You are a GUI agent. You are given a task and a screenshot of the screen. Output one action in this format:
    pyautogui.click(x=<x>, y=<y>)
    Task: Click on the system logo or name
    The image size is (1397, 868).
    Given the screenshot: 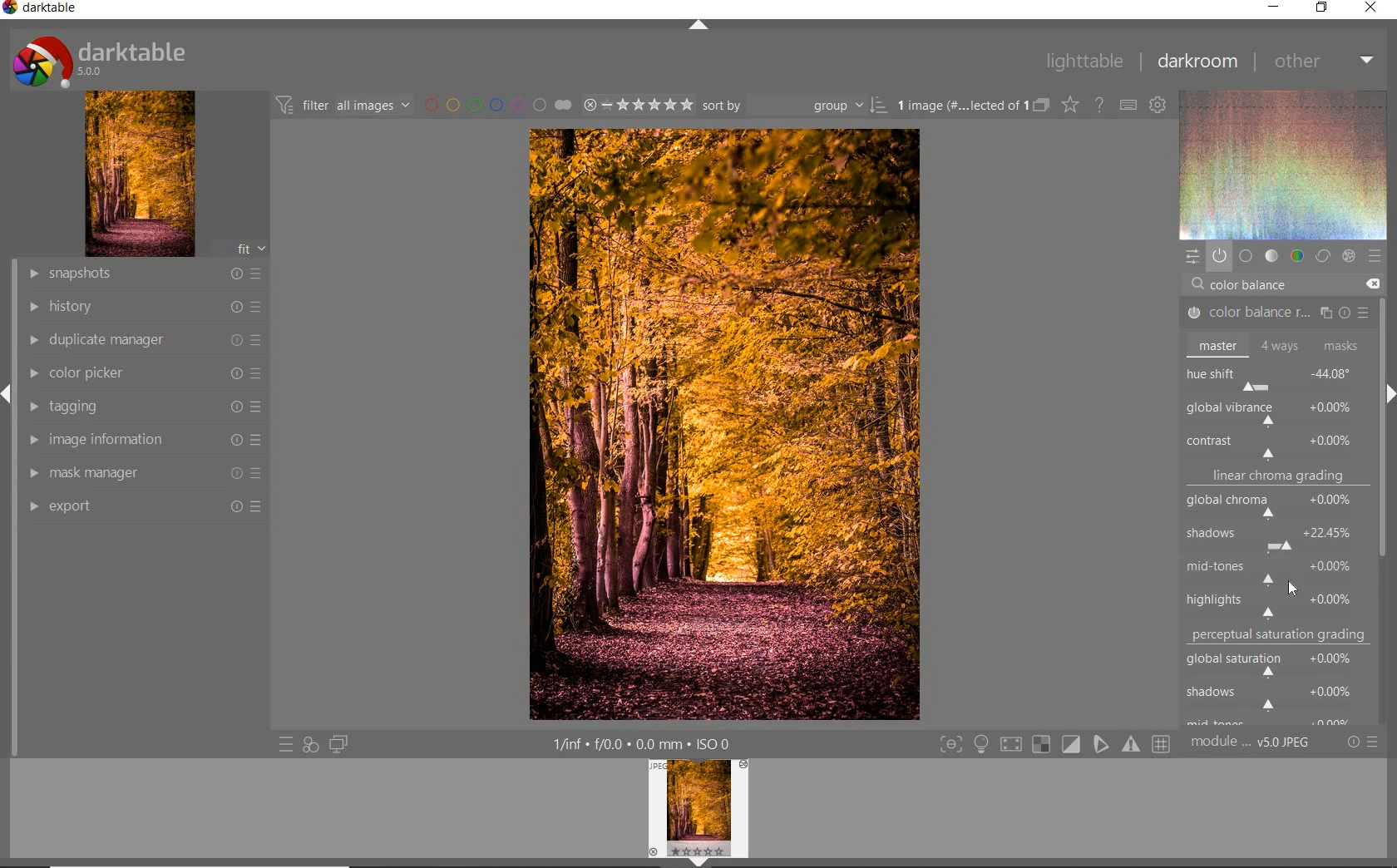 What is the action you would take?
    pyautogui.click(x=106, y=60)
    